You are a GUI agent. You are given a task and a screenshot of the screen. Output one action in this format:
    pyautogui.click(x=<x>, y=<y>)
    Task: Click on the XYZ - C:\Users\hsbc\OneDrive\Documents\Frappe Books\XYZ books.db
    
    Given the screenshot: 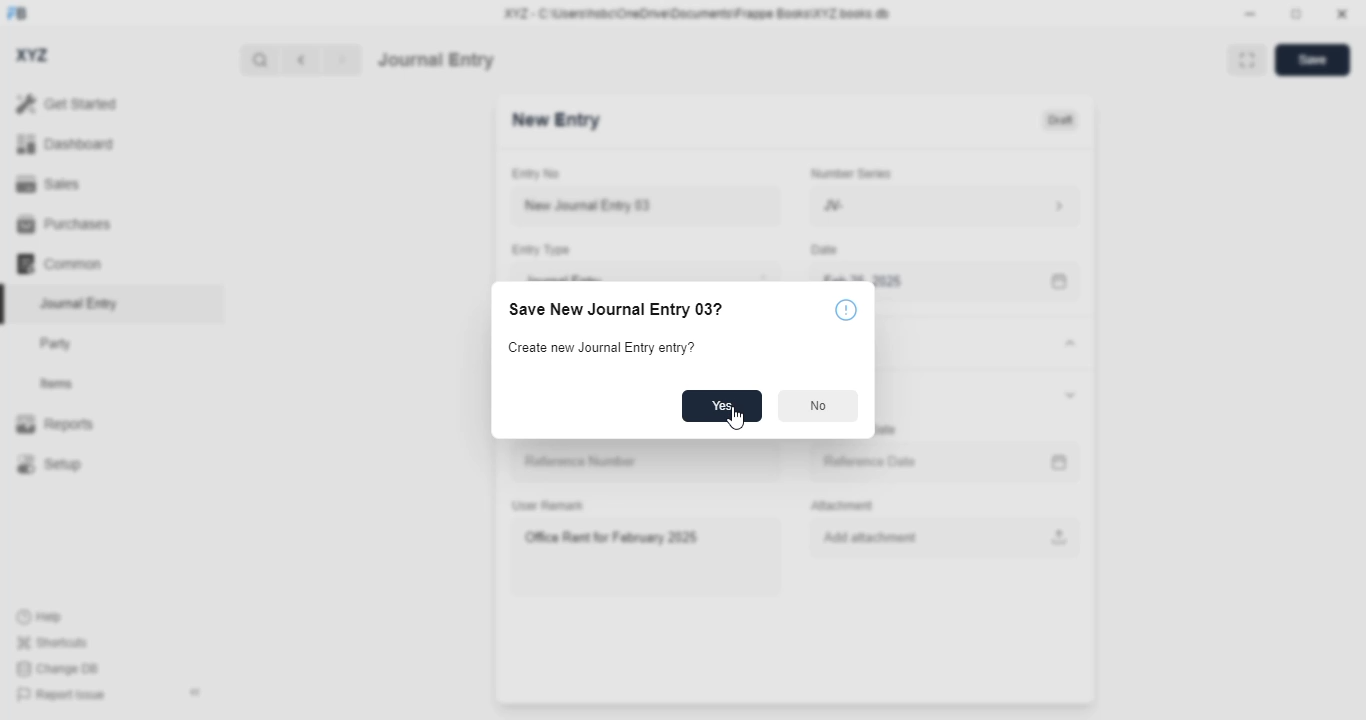 What is the action you would take?
    pyautogui.click(x=697, y=13)
    